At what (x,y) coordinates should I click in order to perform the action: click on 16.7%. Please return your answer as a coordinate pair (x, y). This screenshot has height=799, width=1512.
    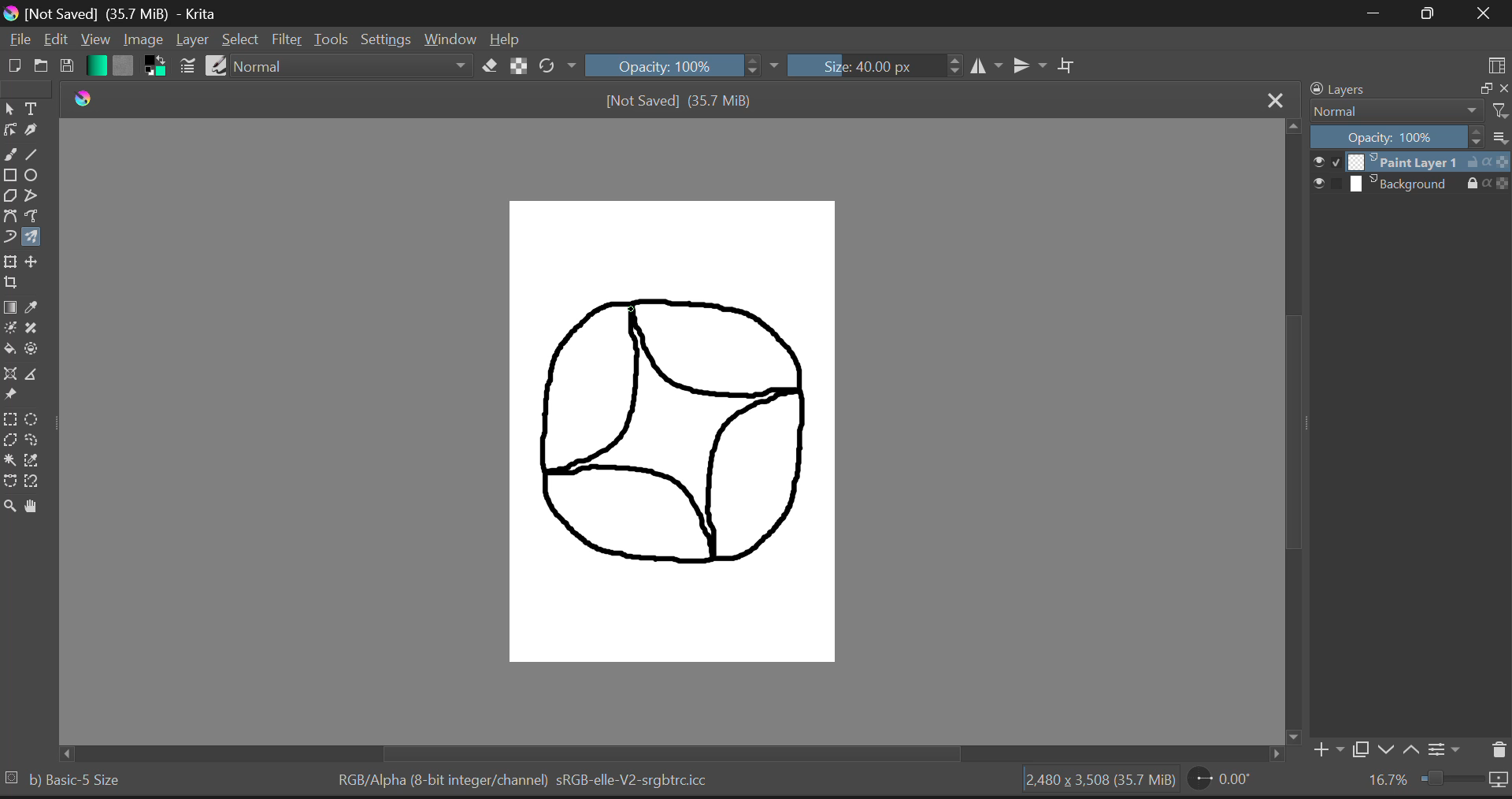
    Looking at the image, I should click on (1432, 783).